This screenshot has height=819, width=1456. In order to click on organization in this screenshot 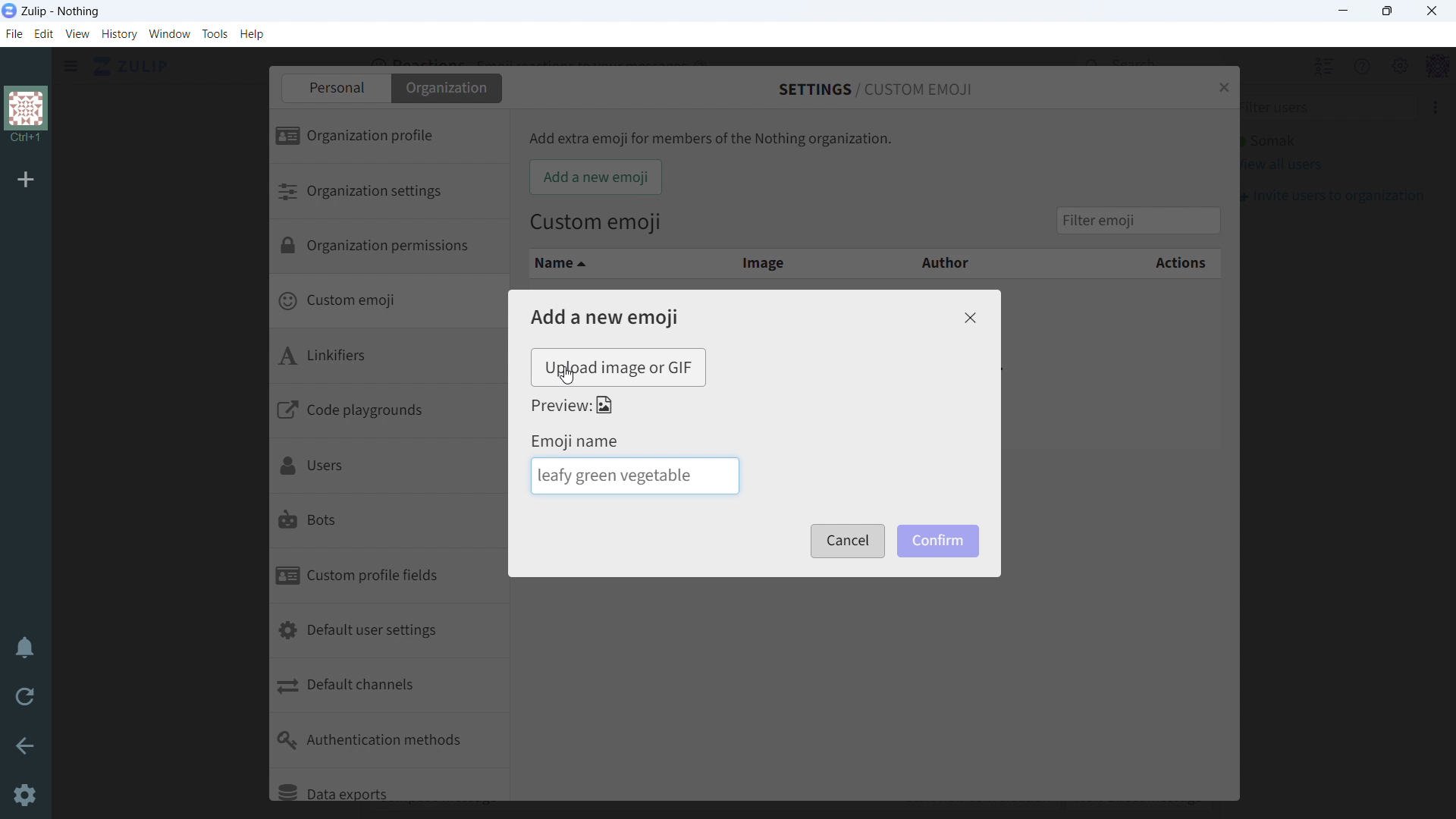, I will do `click(25, 116)`.